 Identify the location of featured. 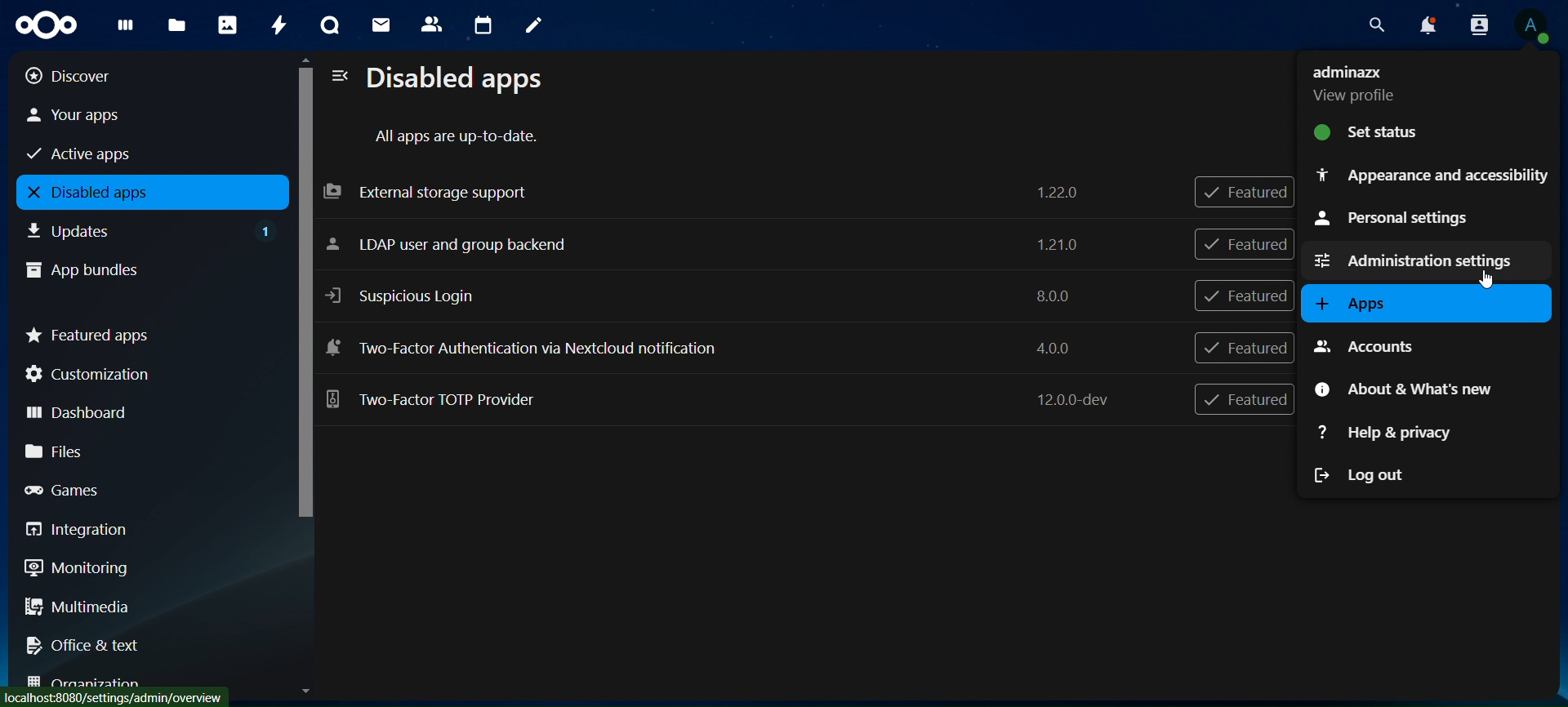
(1247, 296).